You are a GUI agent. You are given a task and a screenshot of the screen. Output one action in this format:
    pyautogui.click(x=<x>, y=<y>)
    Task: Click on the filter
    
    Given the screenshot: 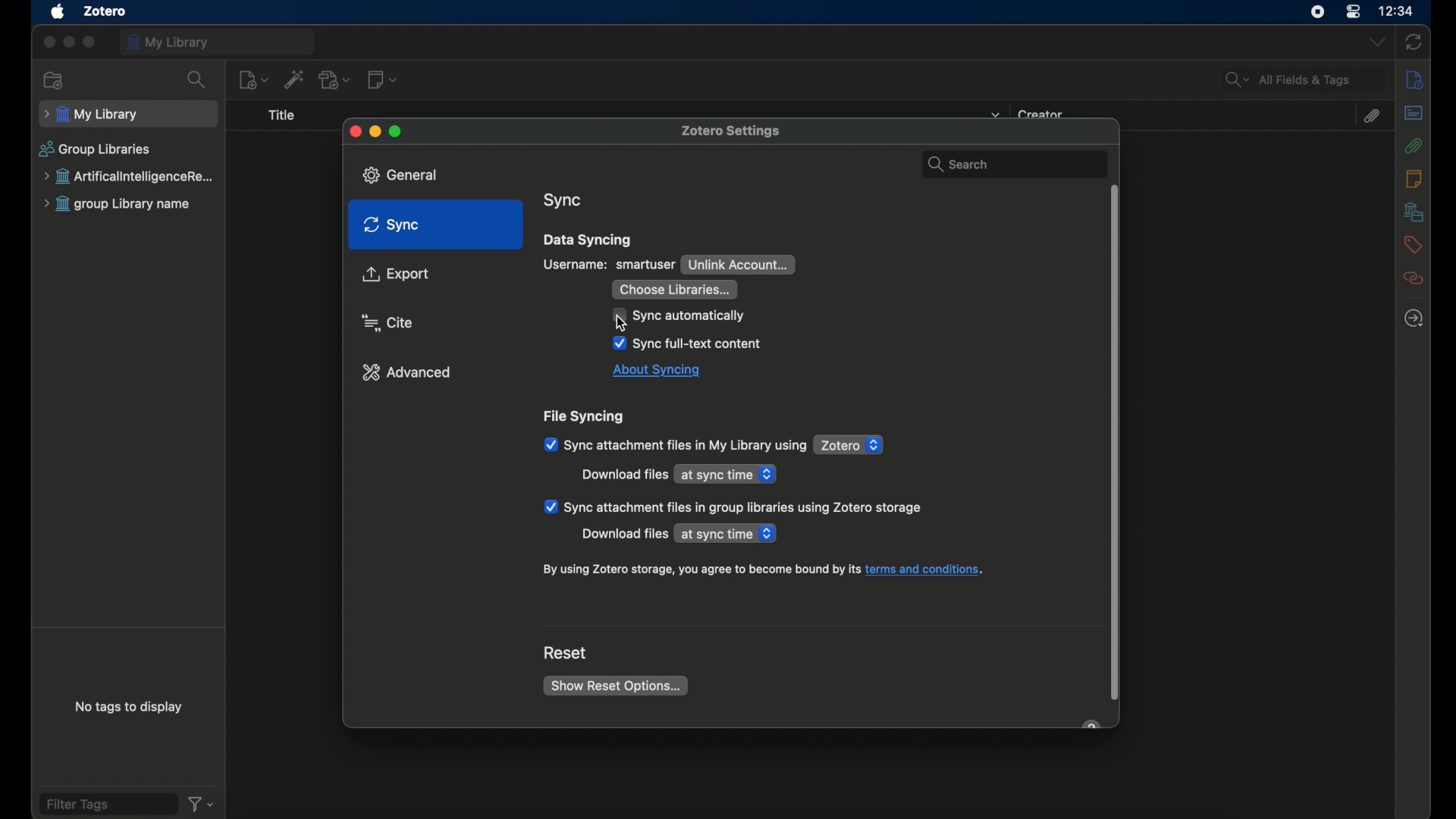 What is the action you would take?
    pyautogui.click(x=200, y=804)
    